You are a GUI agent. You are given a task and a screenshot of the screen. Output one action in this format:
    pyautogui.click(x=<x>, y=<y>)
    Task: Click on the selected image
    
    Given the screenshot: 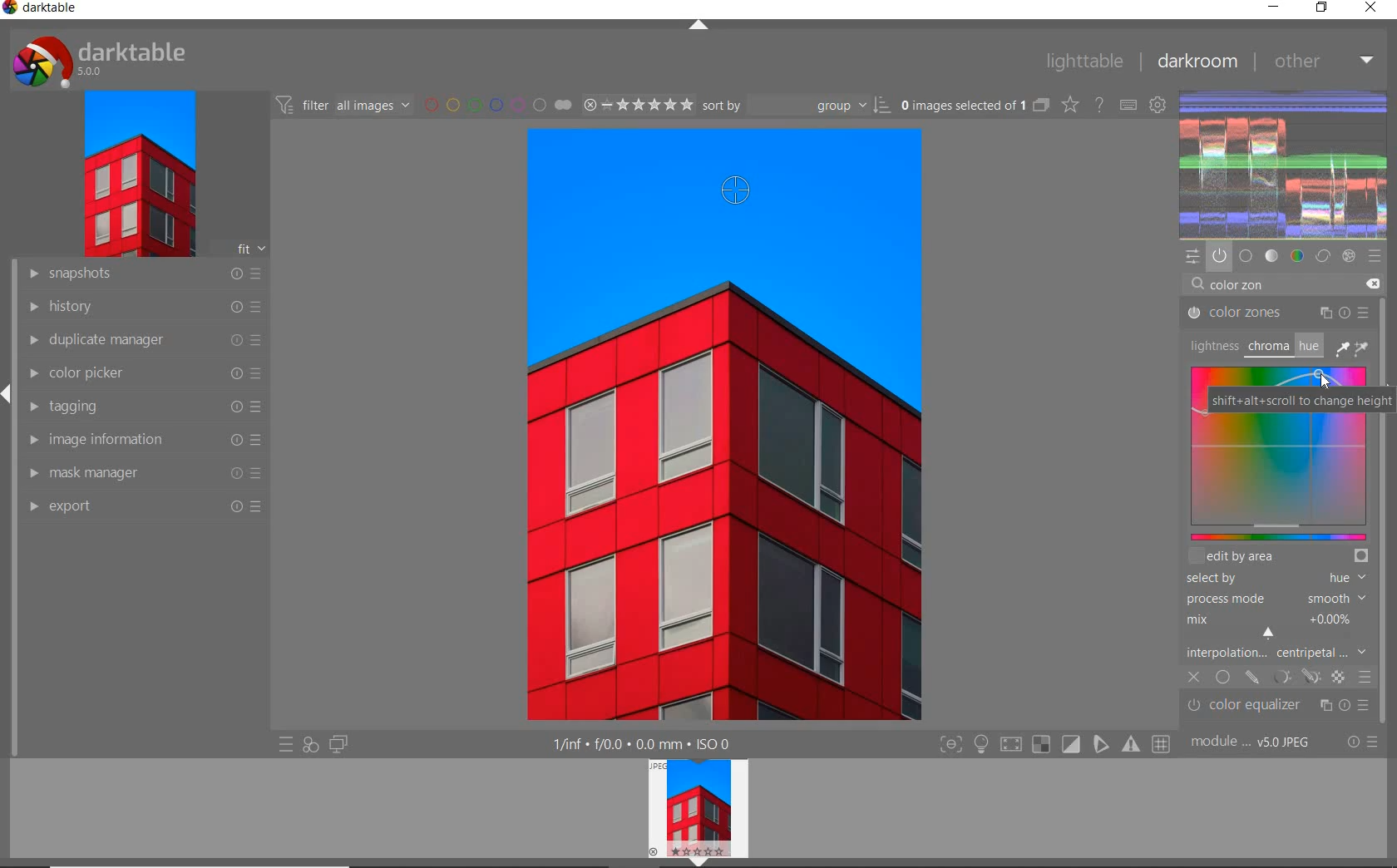 What is the action you would take?
    pyautogui.click(x=724, y=479)
    